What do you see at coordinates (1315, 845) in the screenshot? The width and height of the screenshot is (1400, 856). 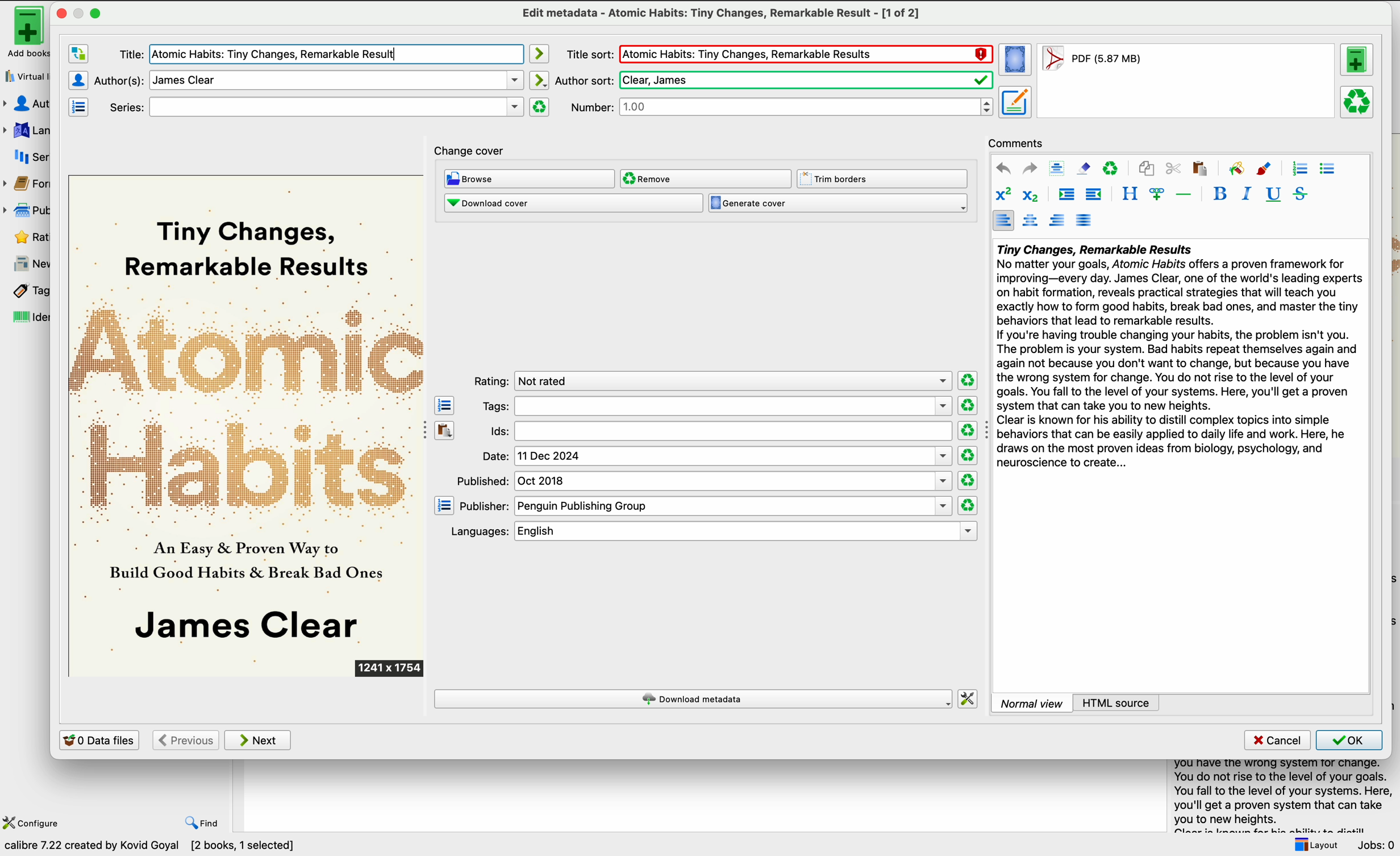 I see `layout` at bounding box center [1315, 845].